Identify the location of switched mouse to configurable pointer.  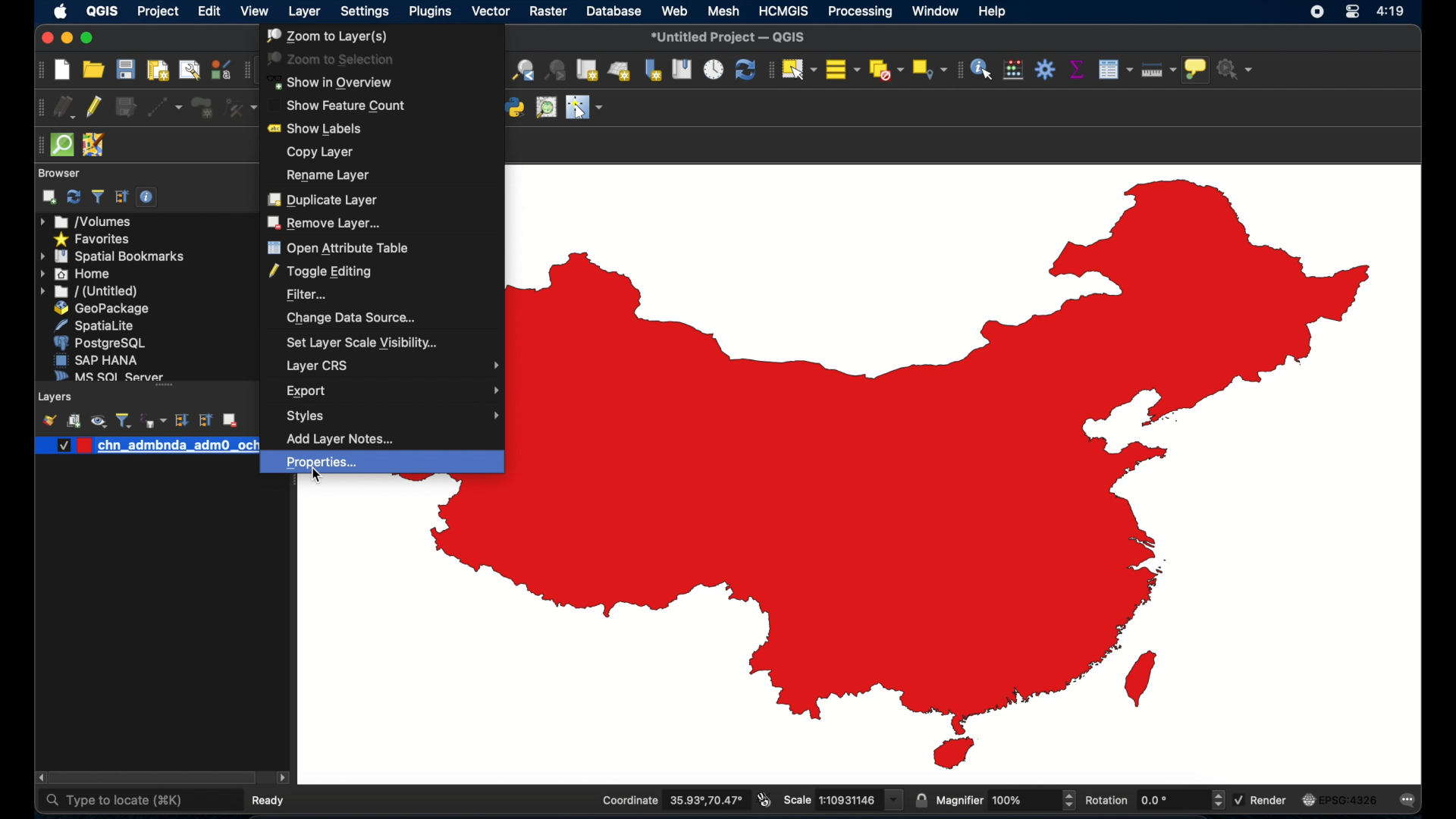
(585, 107).